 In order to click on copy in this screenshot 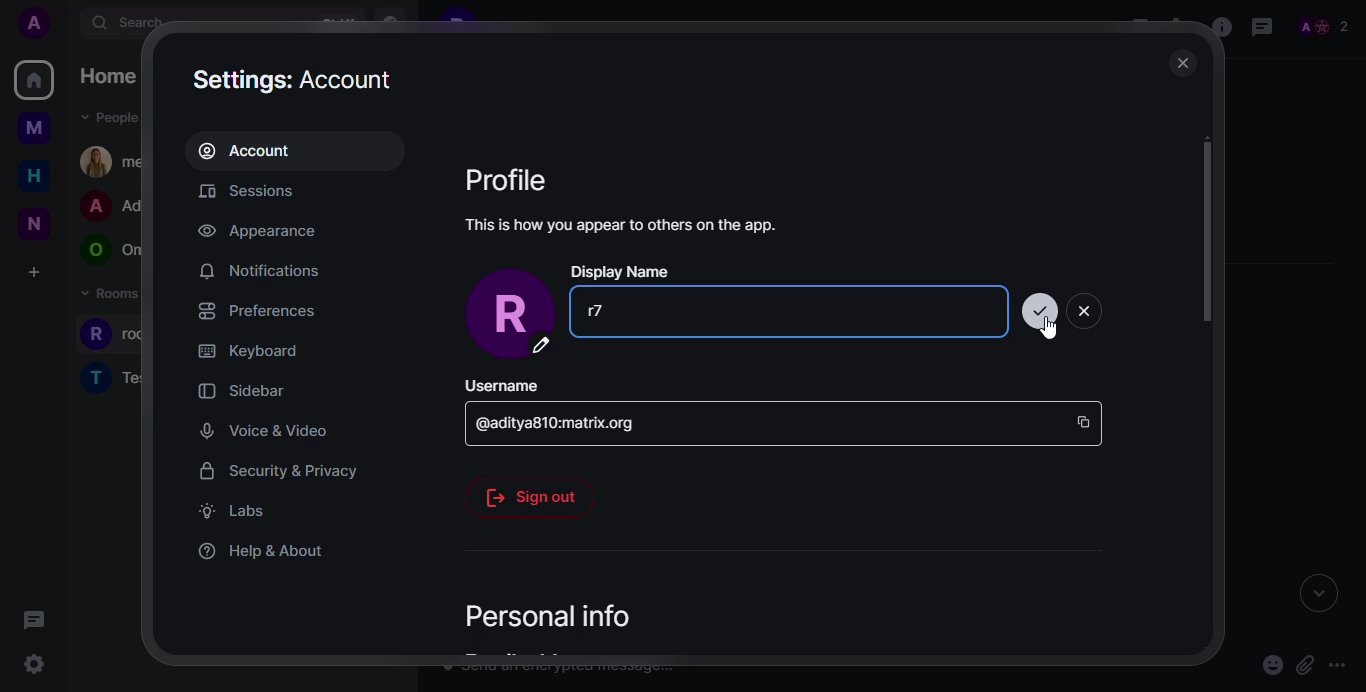, I will do `click(1084, 423)`.